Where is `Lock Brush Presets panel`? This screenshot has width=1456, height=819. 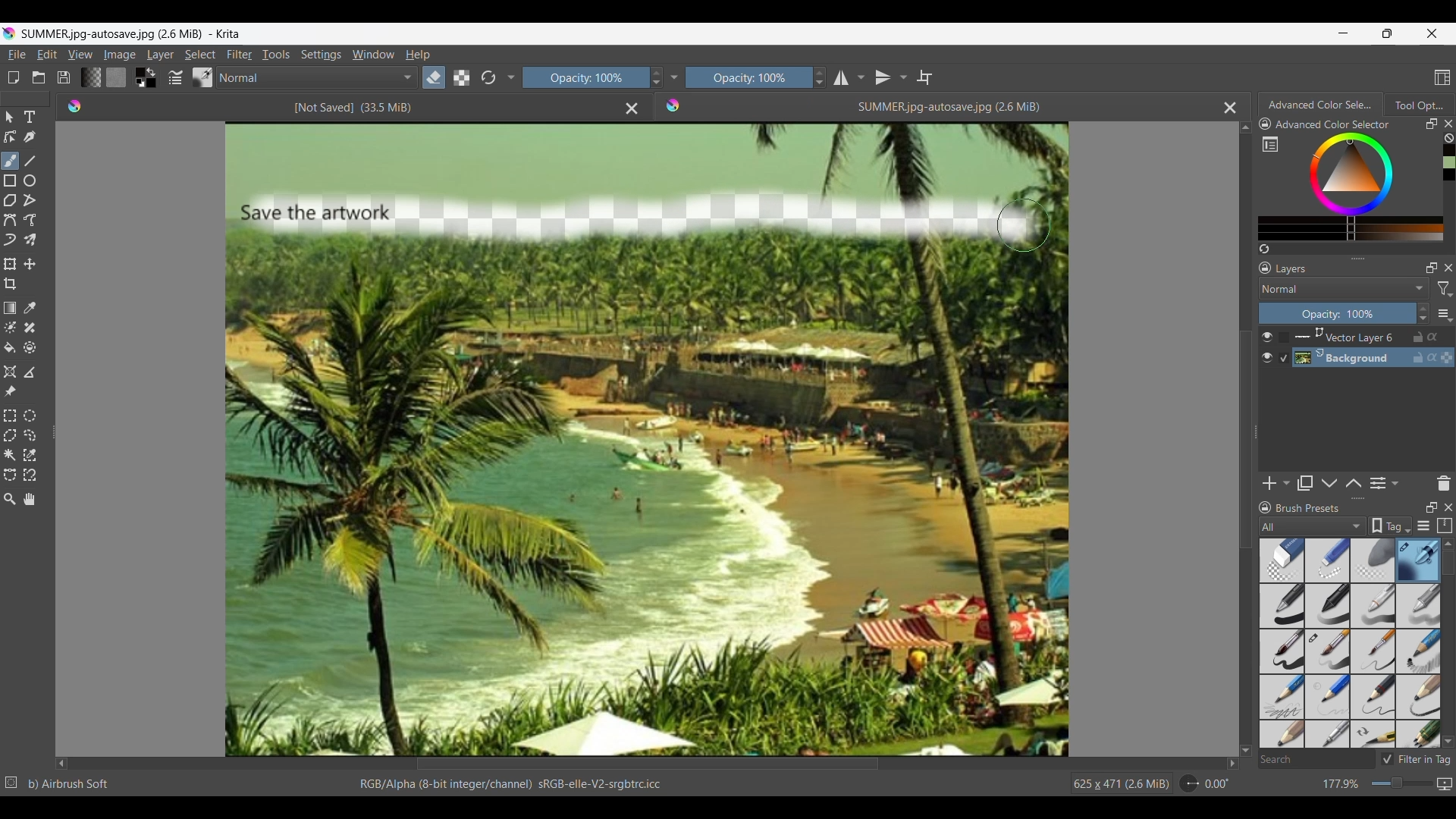 Lock Brush Presets panel is located at coordinates (1266, 510).